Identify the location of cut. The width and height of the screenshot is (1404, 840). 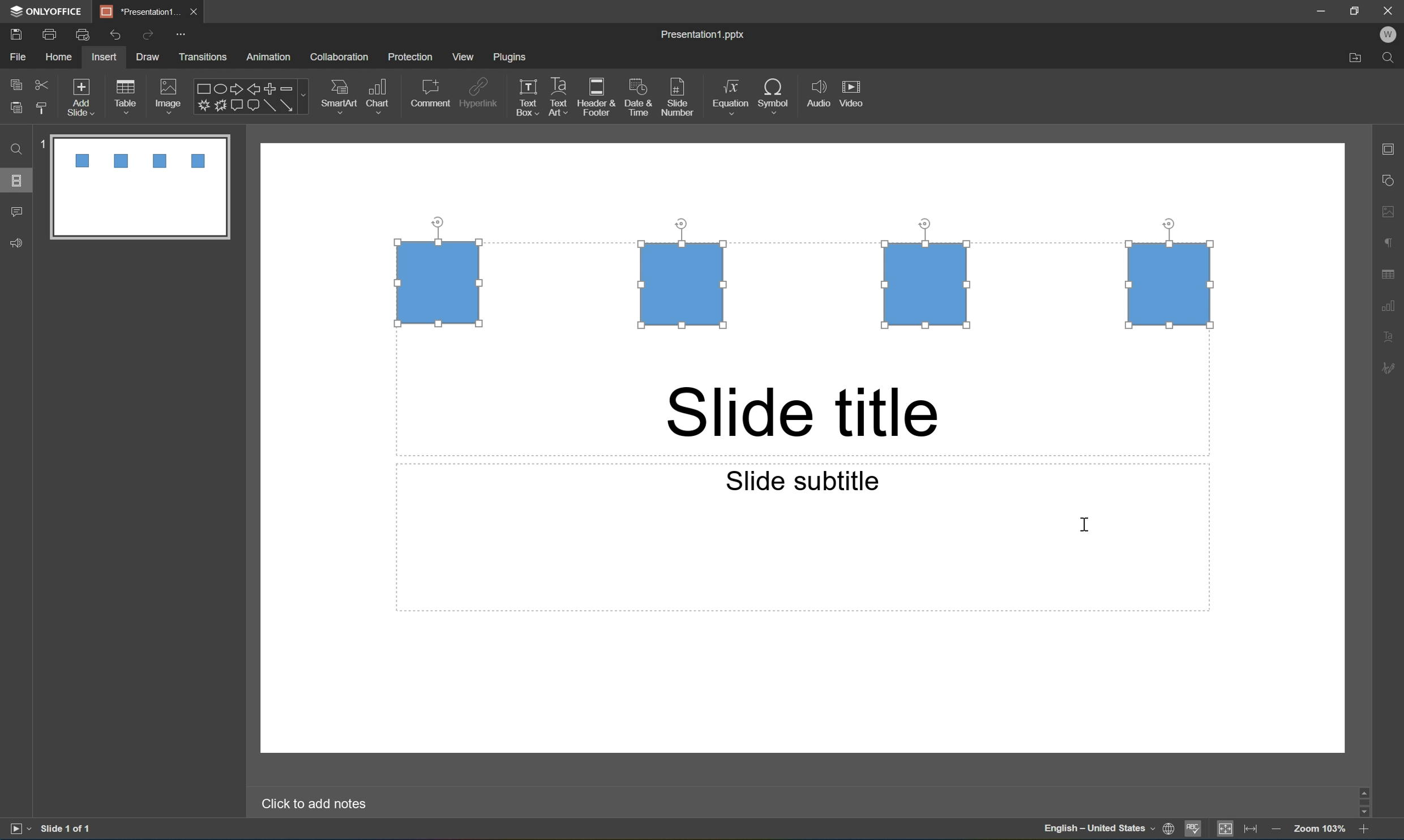
(41, 83).